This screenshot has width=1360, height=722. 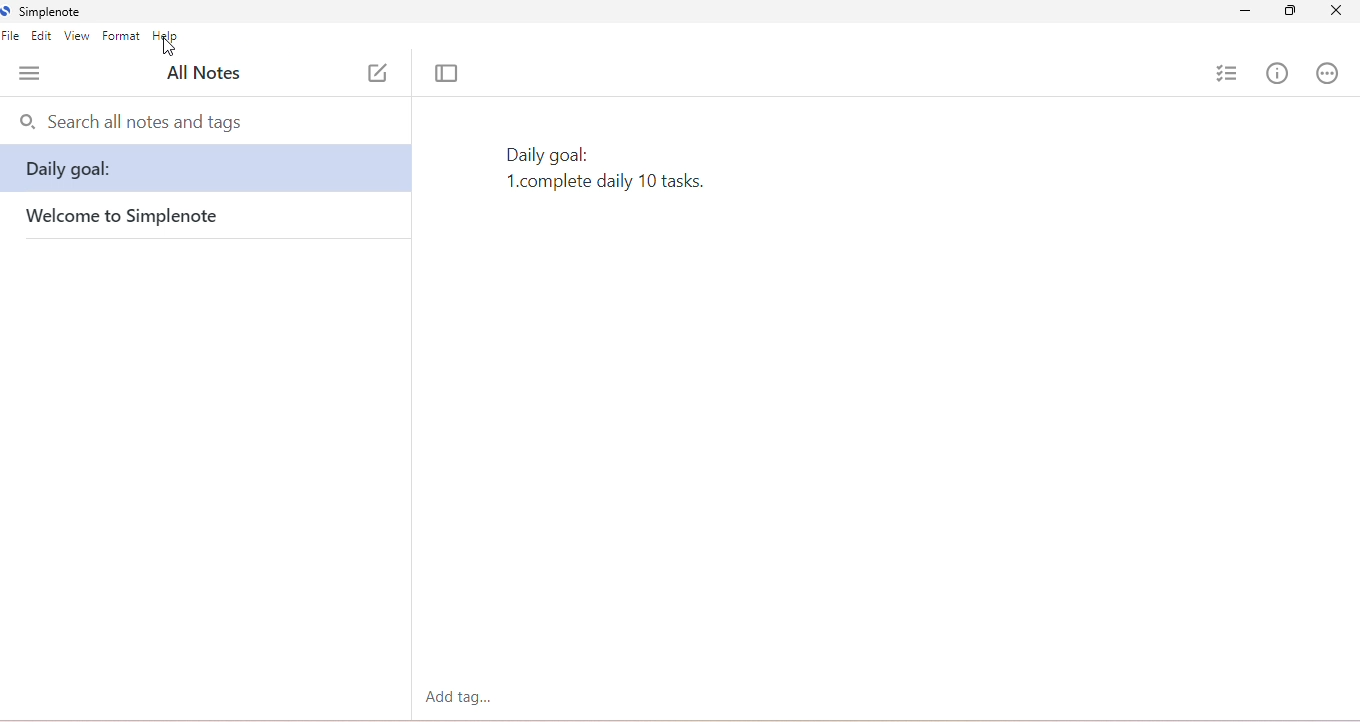 What do you see at coordinates (168, 48) in the screenshot?
I see `cursor ` at bounding box center [168, 48].